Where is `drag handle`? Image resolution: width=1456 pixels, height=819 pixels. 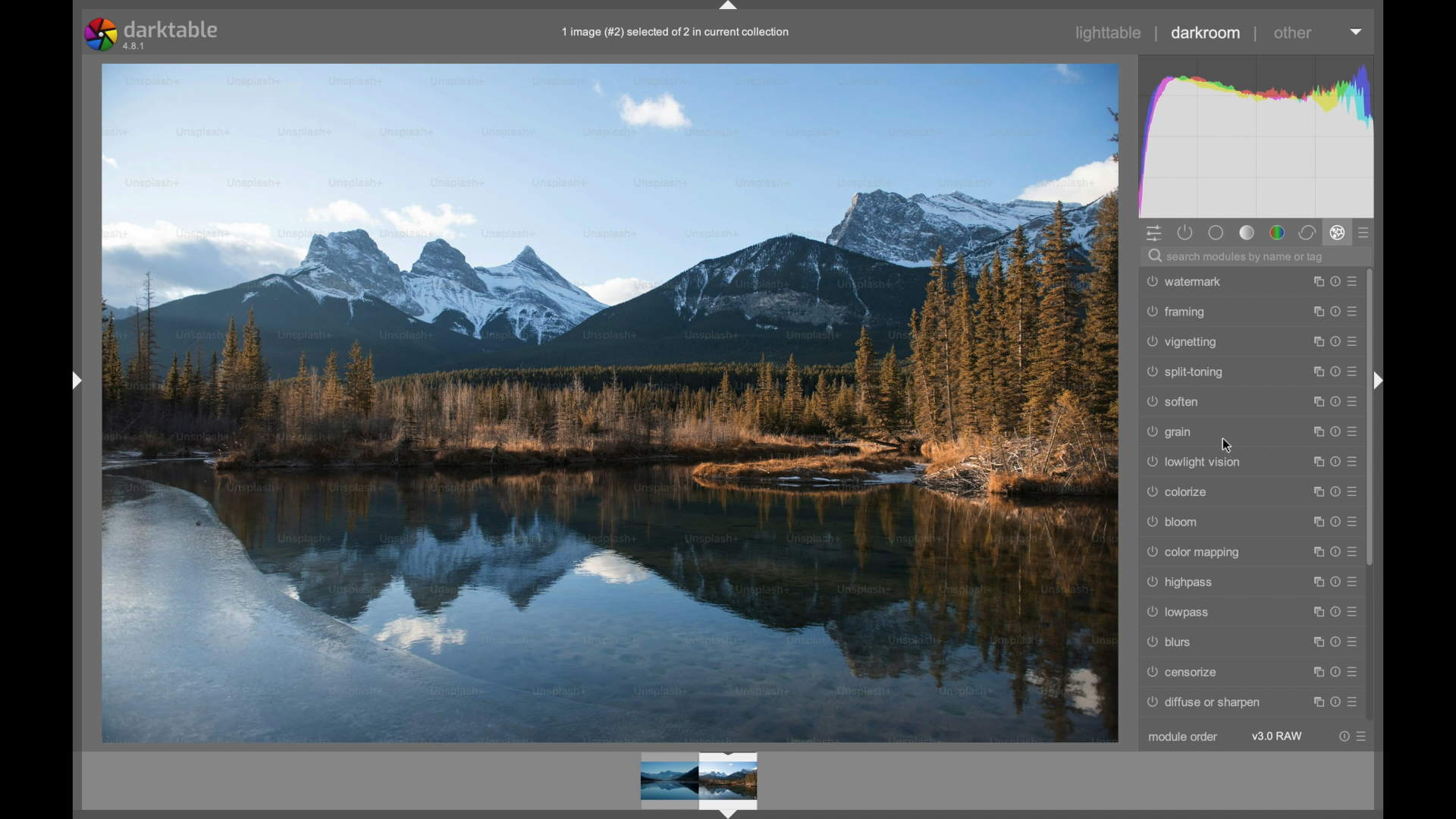 drag handle is located at coordinates (1379, 381).